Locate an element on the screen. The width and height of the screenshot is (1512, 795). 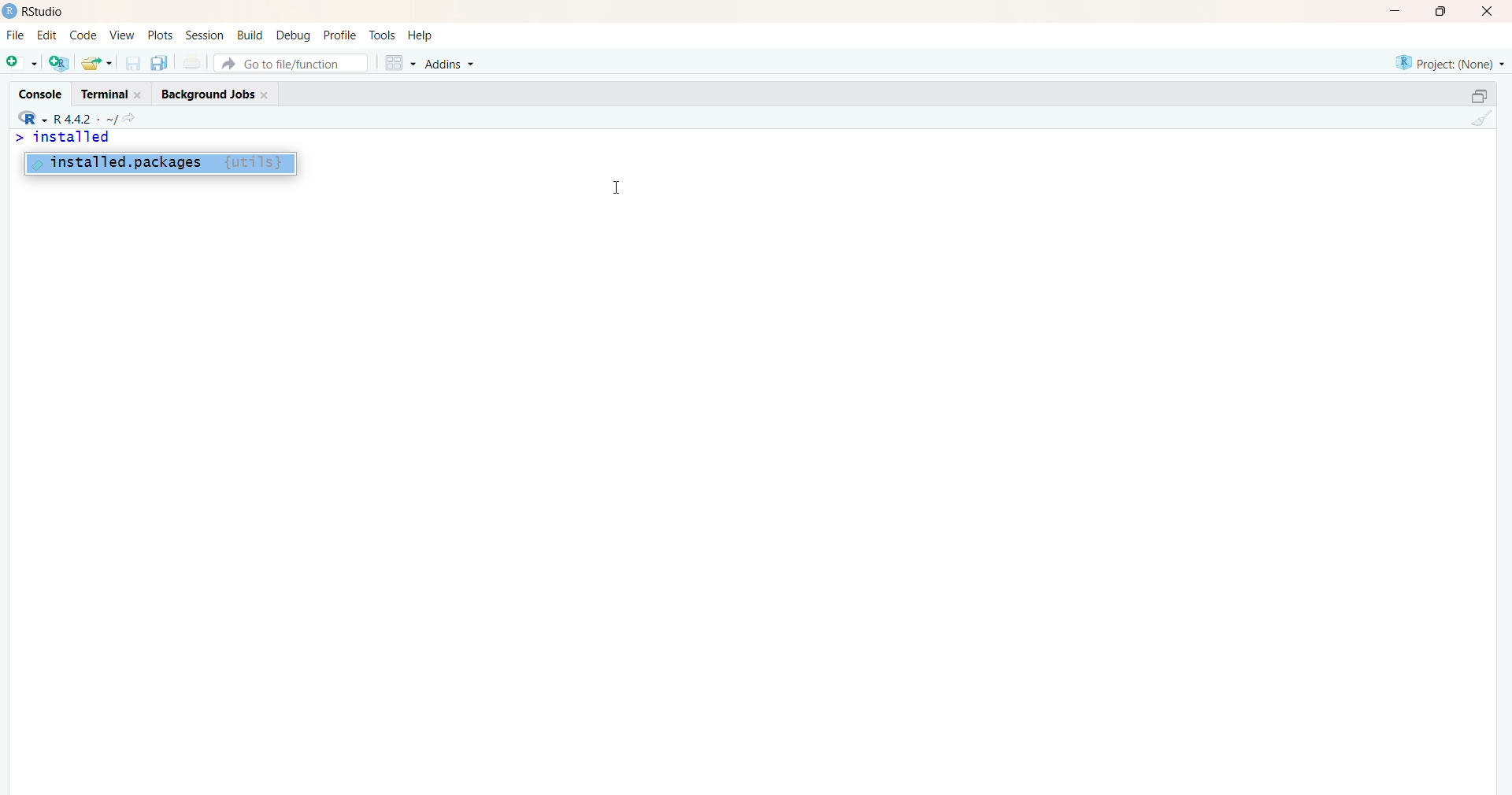
new file is located at coordinates (21, 65).